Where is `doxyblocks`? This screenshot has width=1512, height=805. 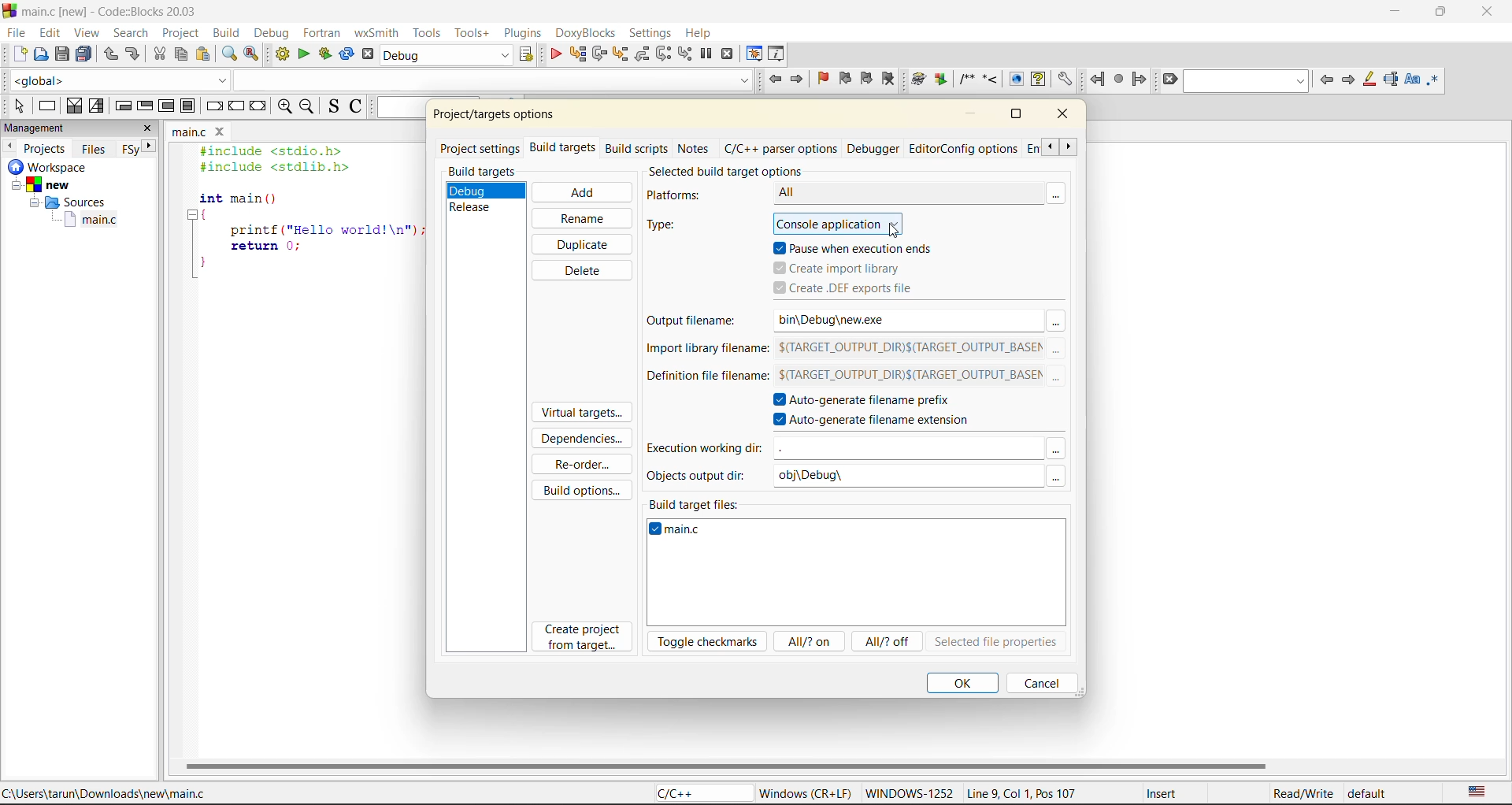
doxyblocks is located at coordinates (584, 33).